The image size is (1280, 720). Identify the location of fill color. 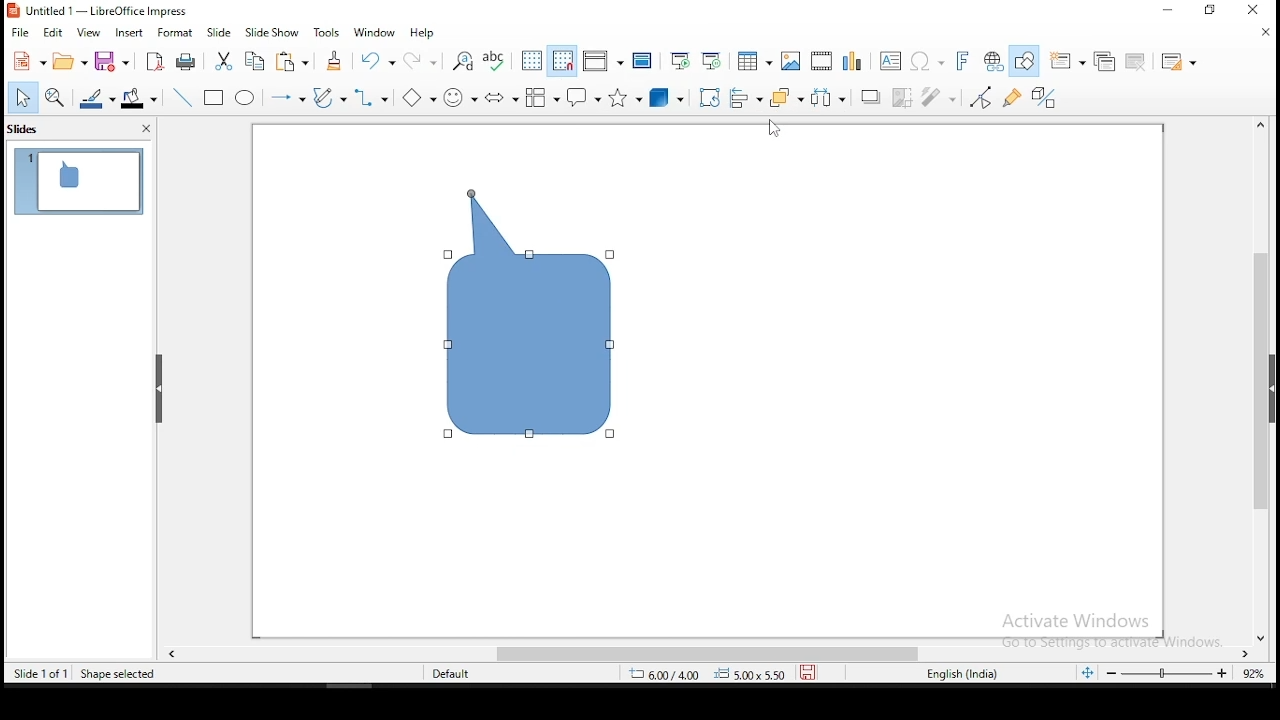
(137, 99).